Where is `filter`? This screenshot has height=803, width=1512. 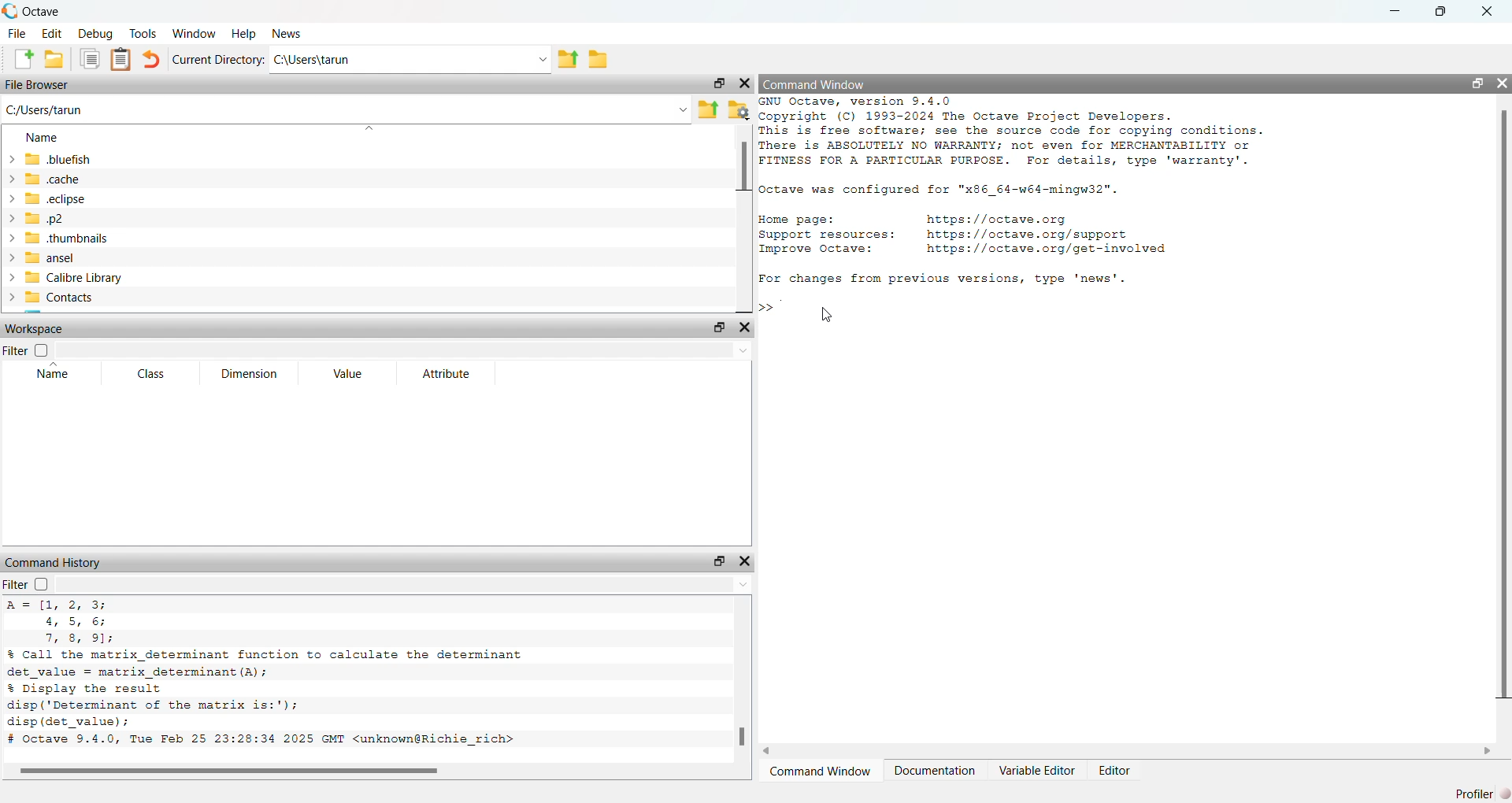
filter is located at coordinates (15, 585).